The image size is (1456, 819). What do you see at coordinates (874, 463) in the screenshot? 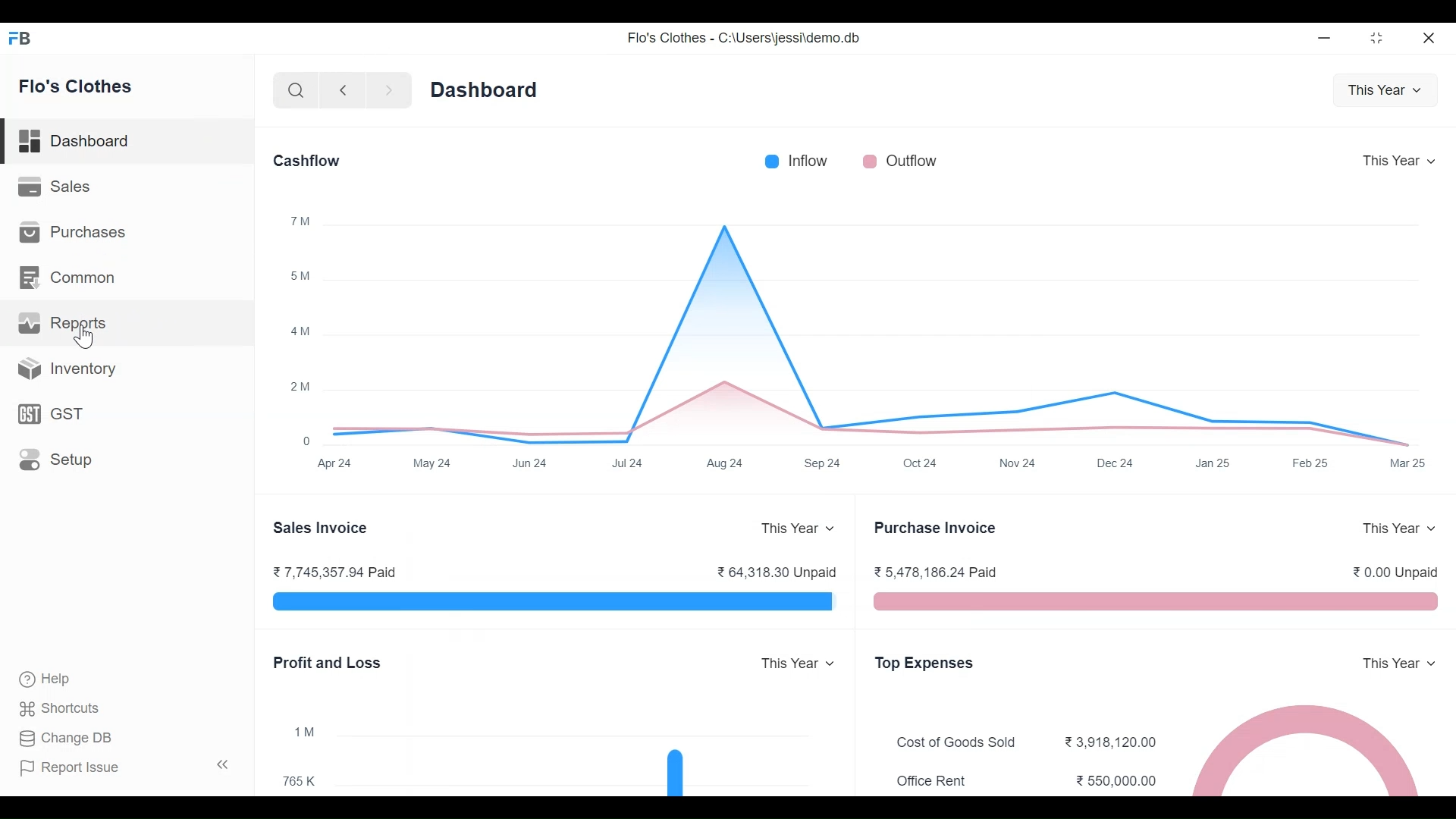
I see `Apr24 May 24 Jun 24 Jul 24 Aug 24 Sep24 Oct24 Nov 24 Dec 24 Jan 25 Feb25 Mar 25` at bounding box center [874, 463].